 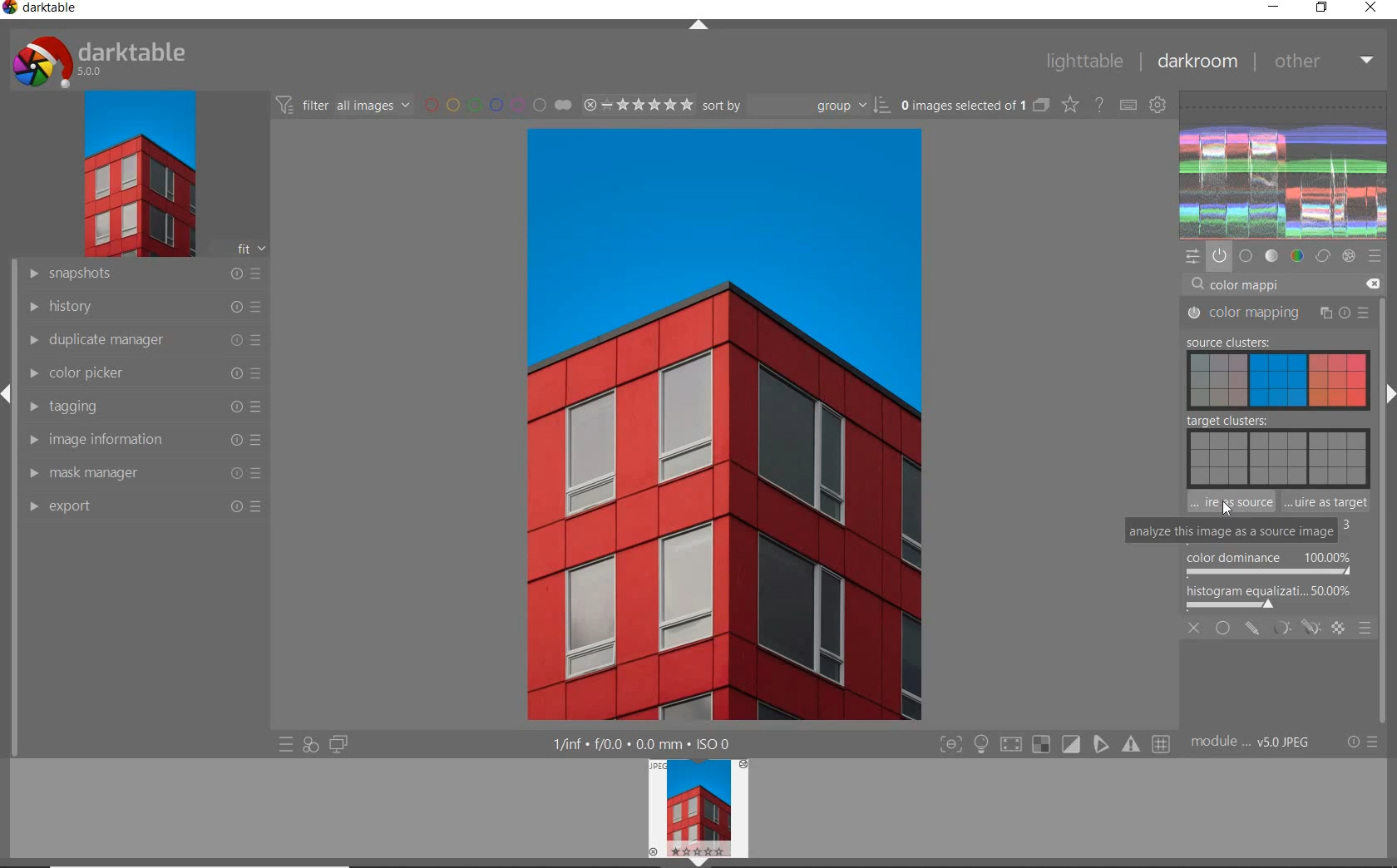 I want to click on tagging, so click(x=143, y=407).